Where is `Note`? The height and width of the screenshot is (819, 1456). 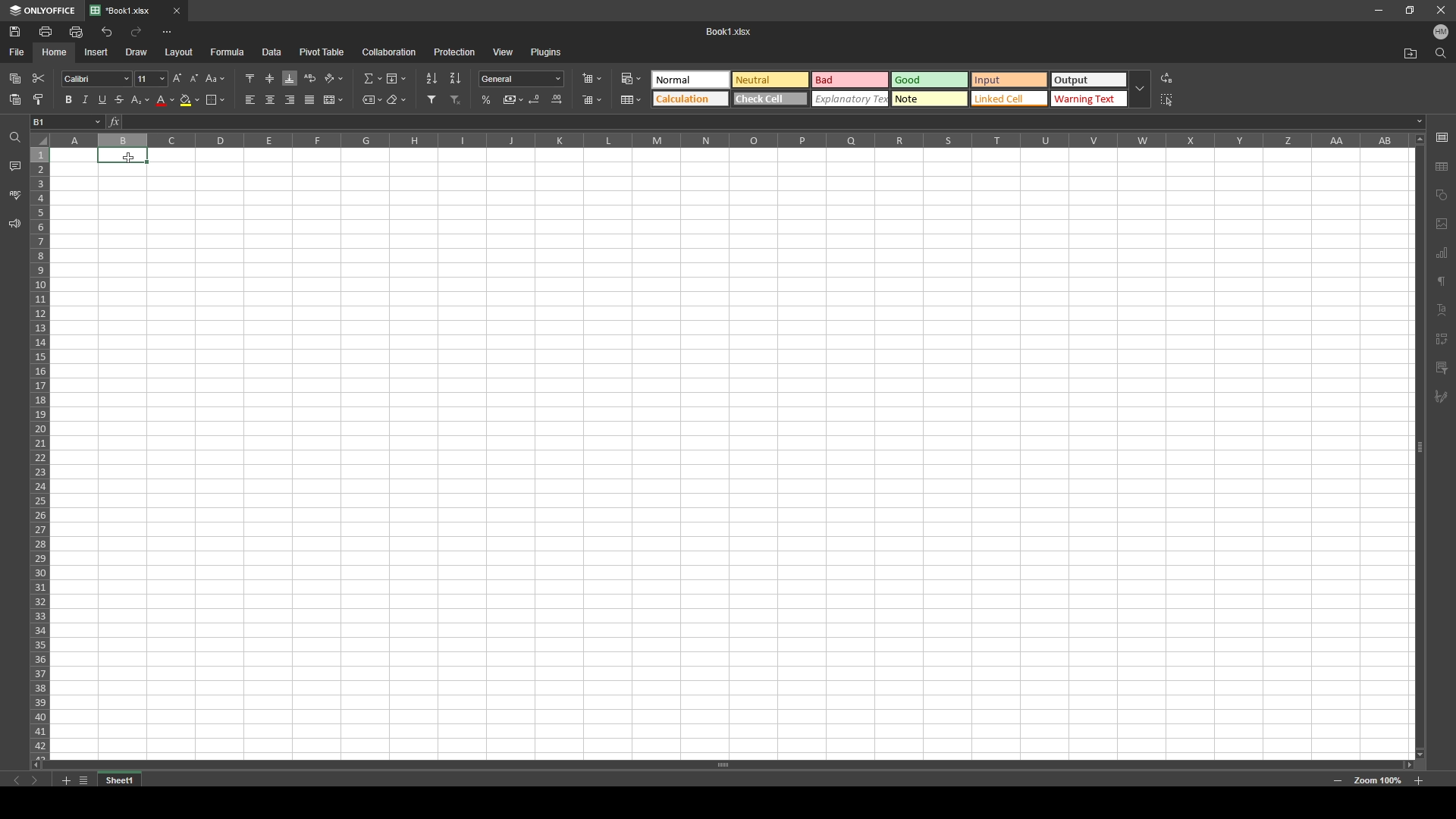
Note is located at coordinates (930, 99).